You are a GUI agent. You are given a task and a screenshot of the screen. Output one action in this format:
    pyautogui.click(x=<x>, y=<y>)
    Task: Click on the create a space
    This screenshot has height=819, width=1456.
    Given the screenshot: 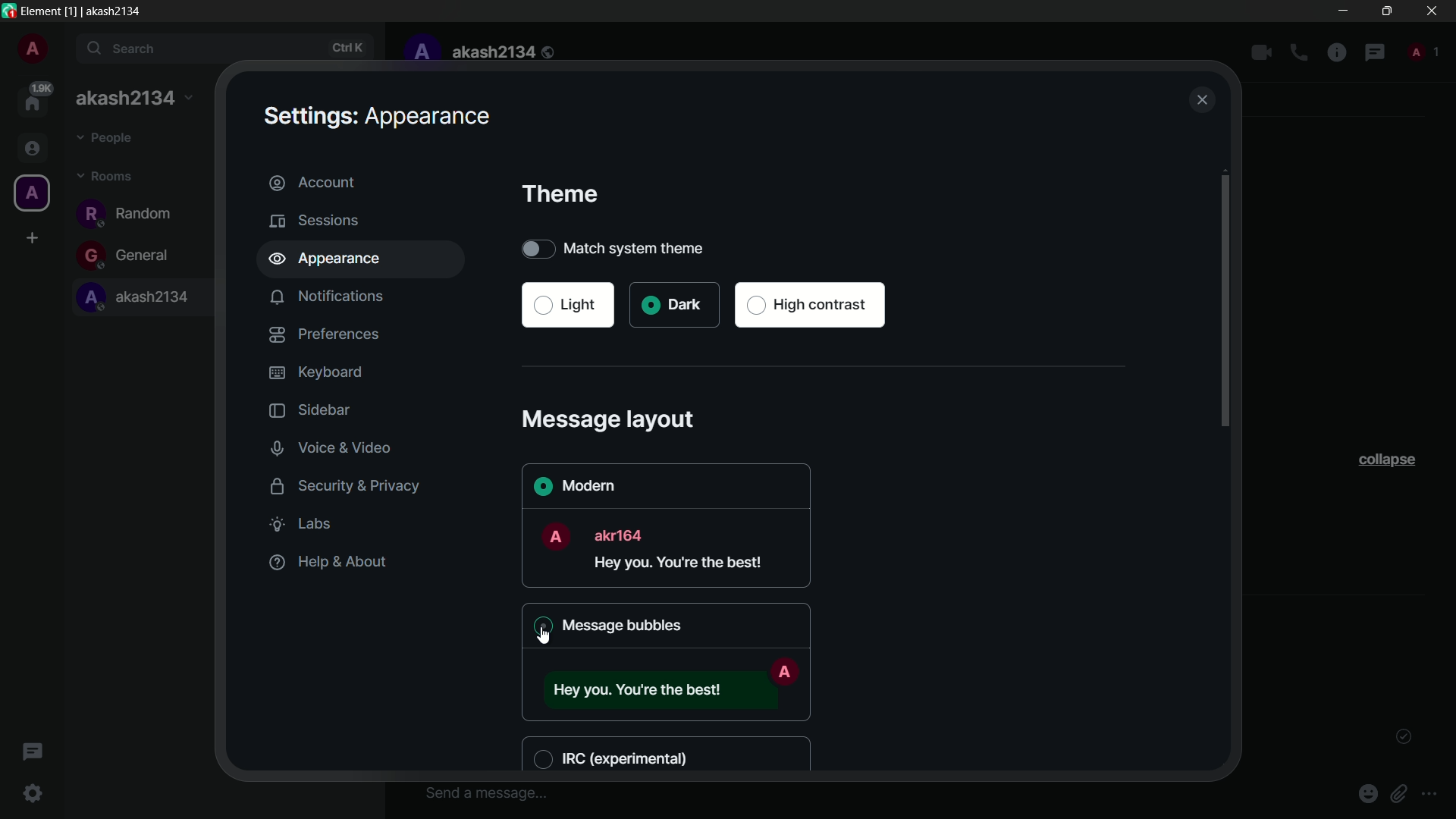 What is the action you would take?
    pyautogui.click(x=33, y=238)
    